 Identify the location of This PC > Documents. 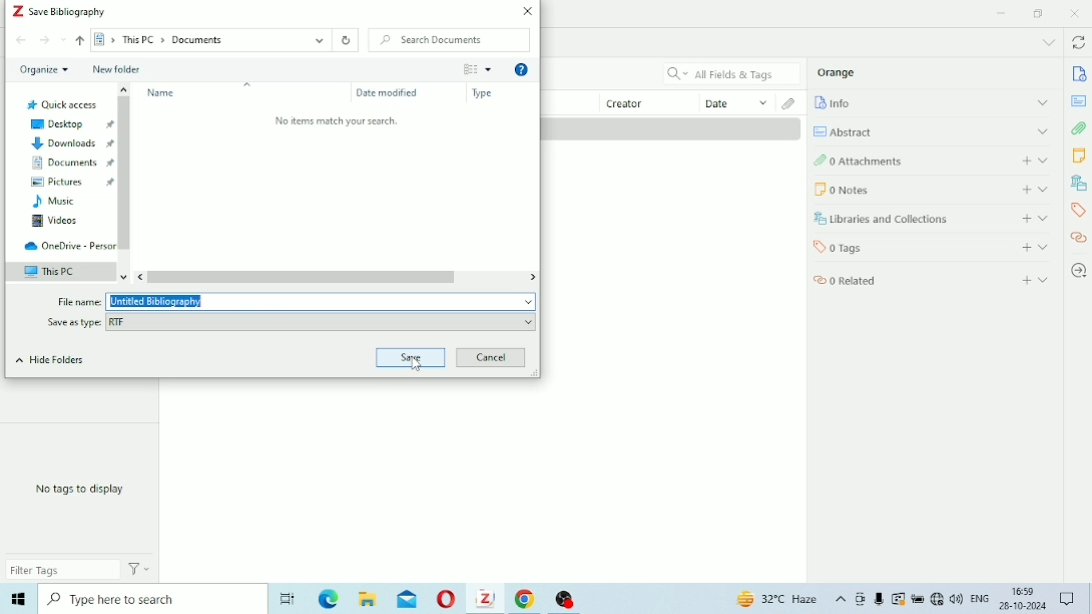
(183, 40).